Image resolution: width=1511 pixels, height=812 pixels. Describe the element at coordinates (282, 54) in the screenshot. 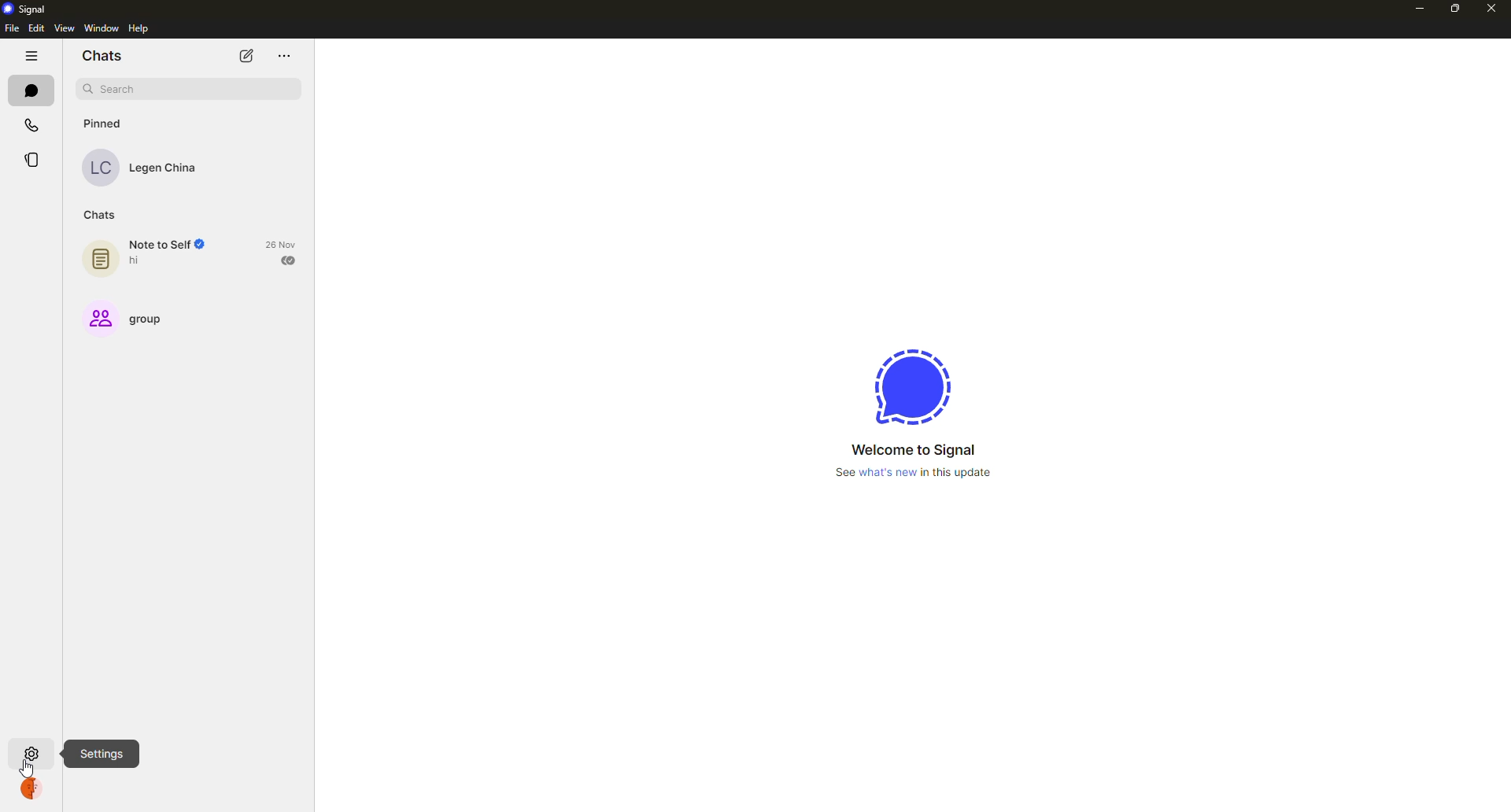

I see `more` at that location.